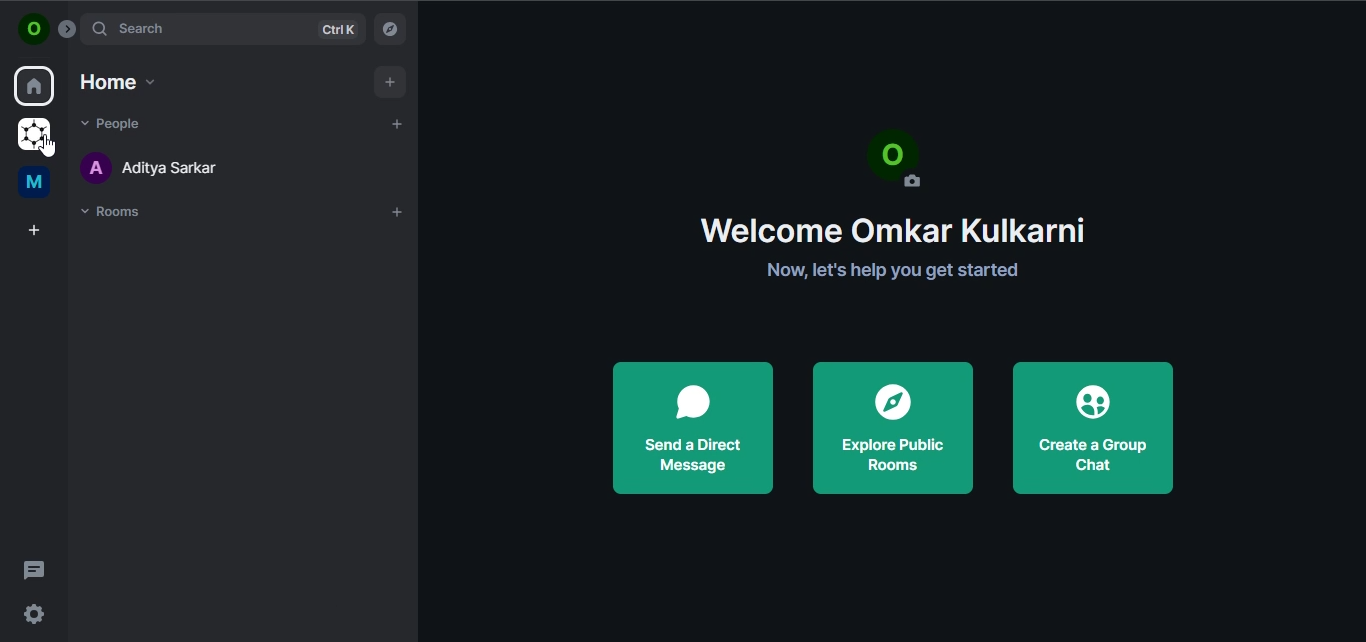  Describe the element at coordinates (155, 167) in the screenshot. I see `aditya sarkar` at that location.